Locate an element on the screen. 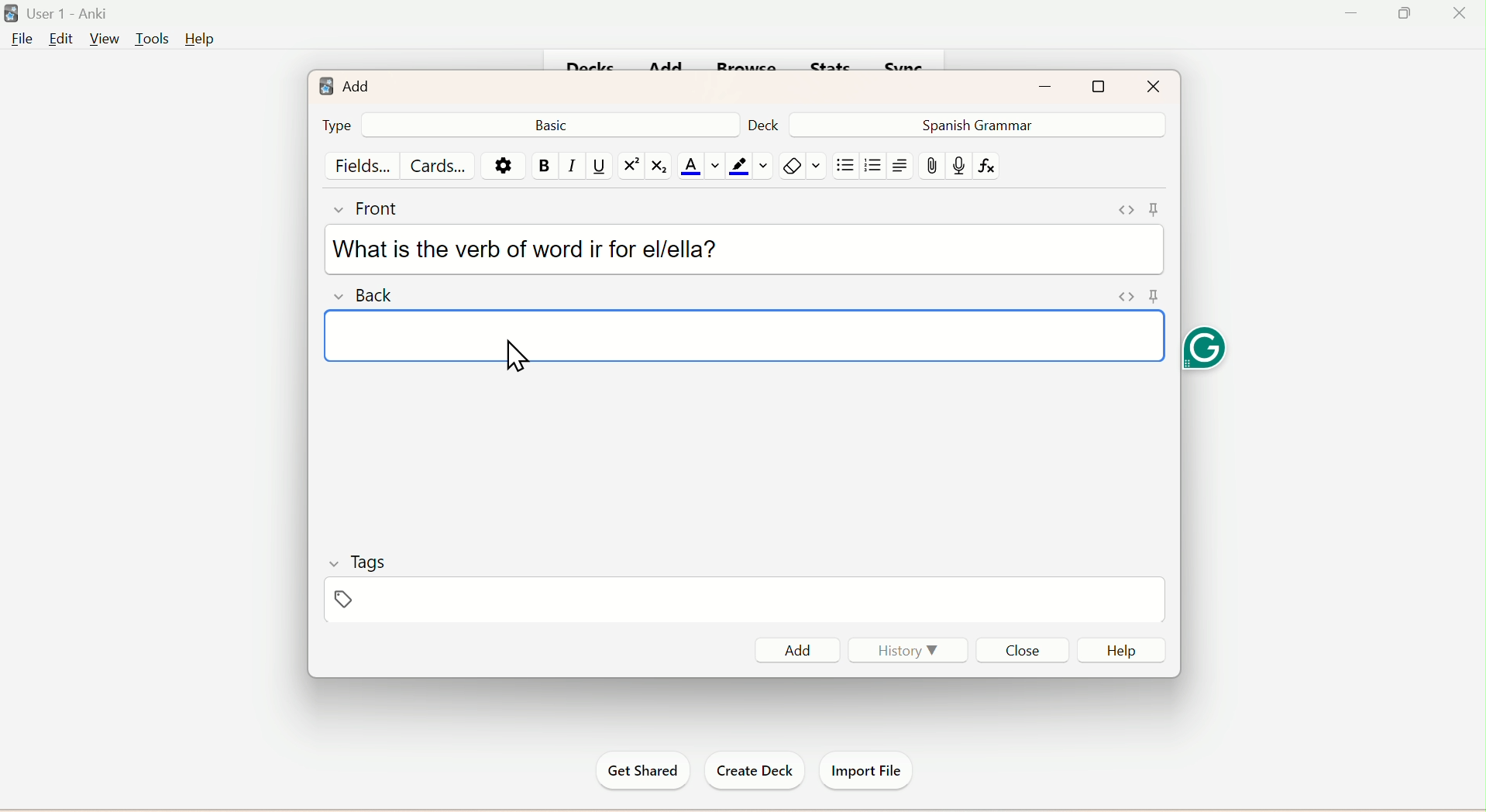  Basic is located at coordinates (555, 124).